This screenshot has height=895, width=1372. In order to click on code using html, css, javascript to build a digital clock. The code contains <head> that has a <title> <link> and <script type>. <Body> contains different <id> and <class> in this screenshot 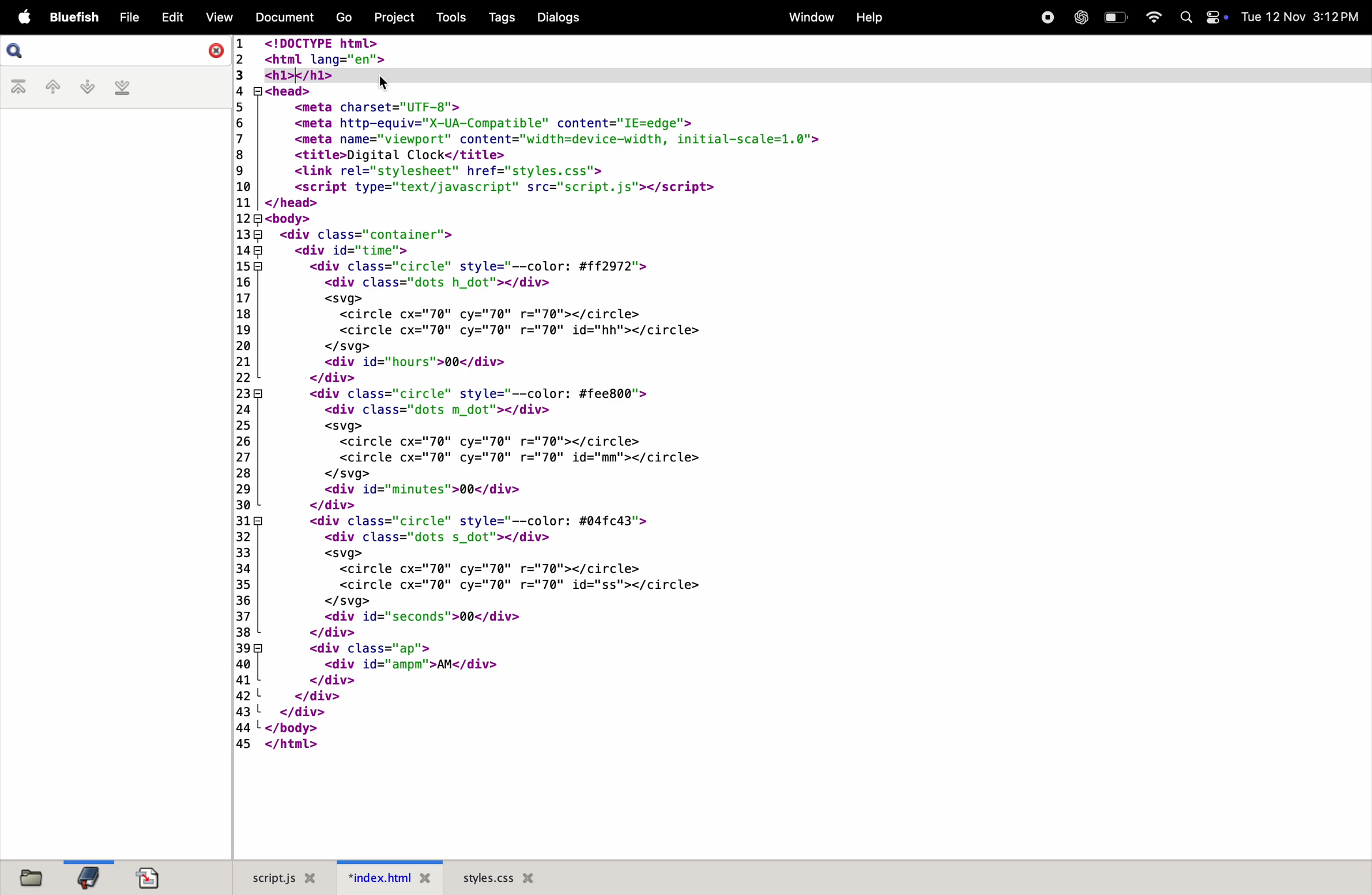, I will do `click(800, 447)`.